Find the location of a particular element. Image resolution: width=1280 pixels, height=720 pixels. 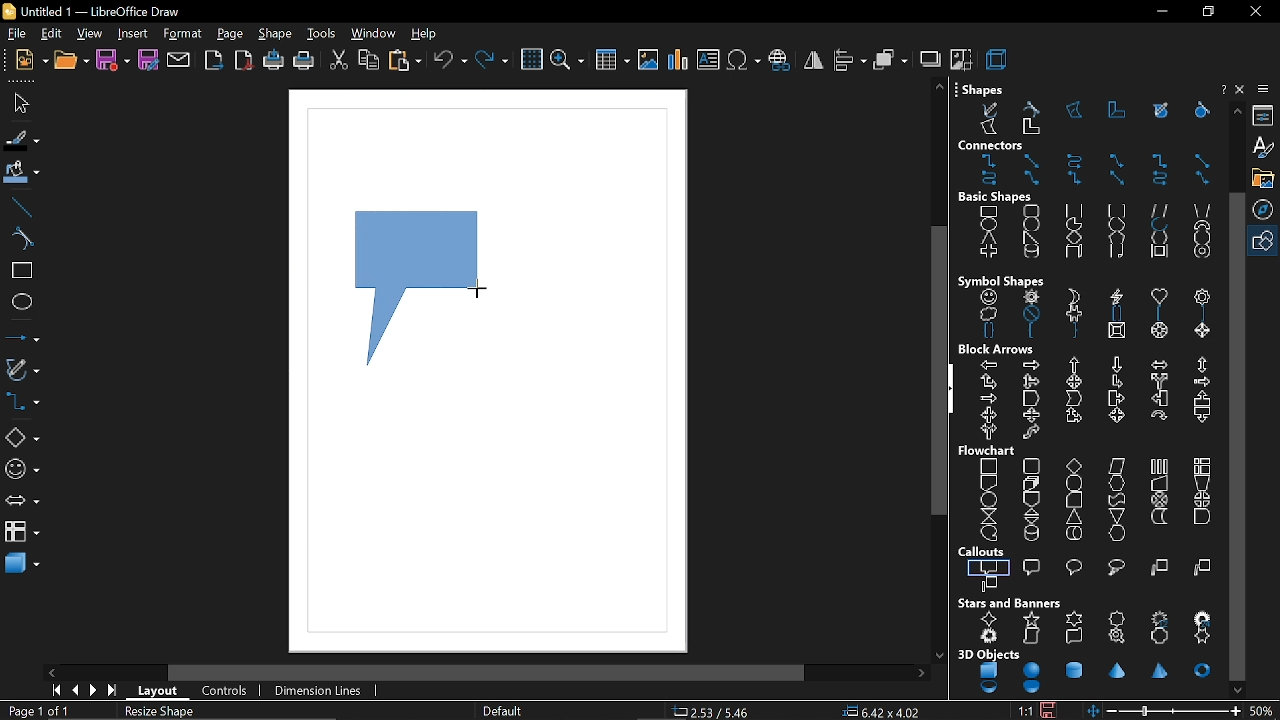

horizontal scroll bar is located at coordinates (487, 672).